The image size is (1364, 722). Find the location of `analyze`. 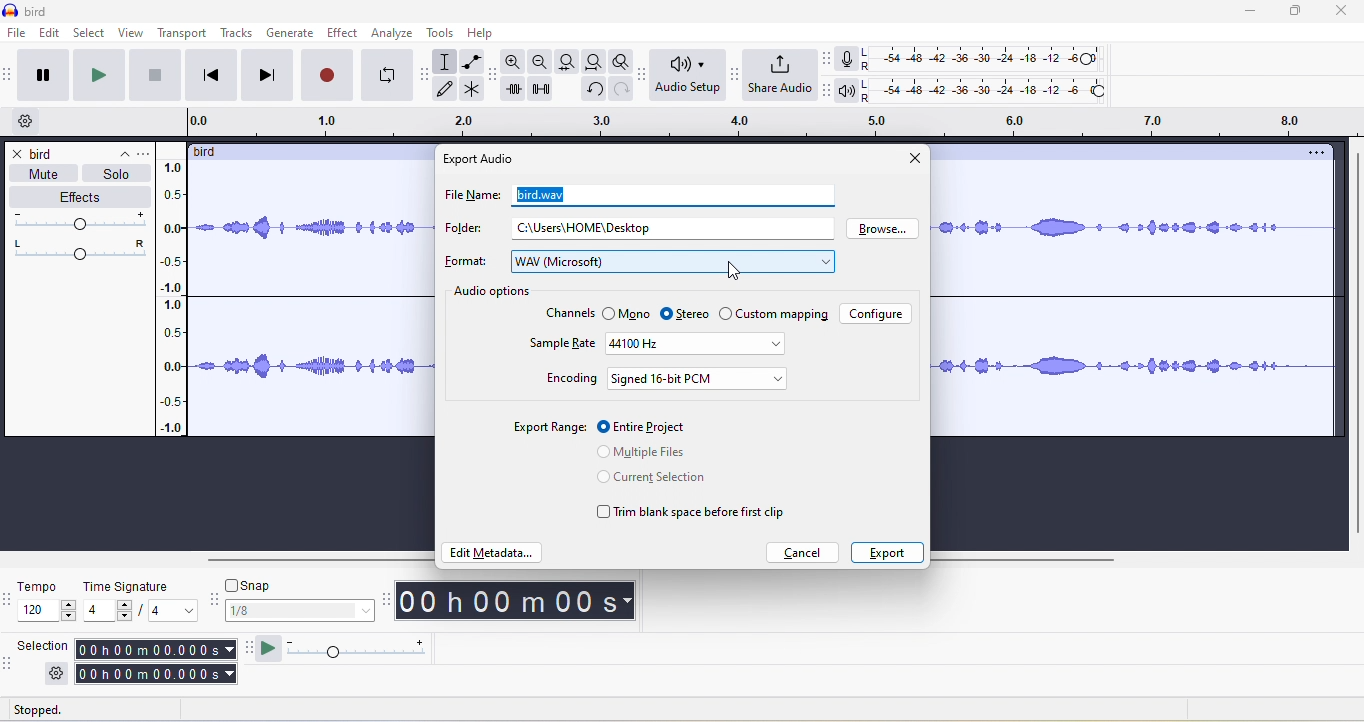

analyze is located at coordinates (393, 33).